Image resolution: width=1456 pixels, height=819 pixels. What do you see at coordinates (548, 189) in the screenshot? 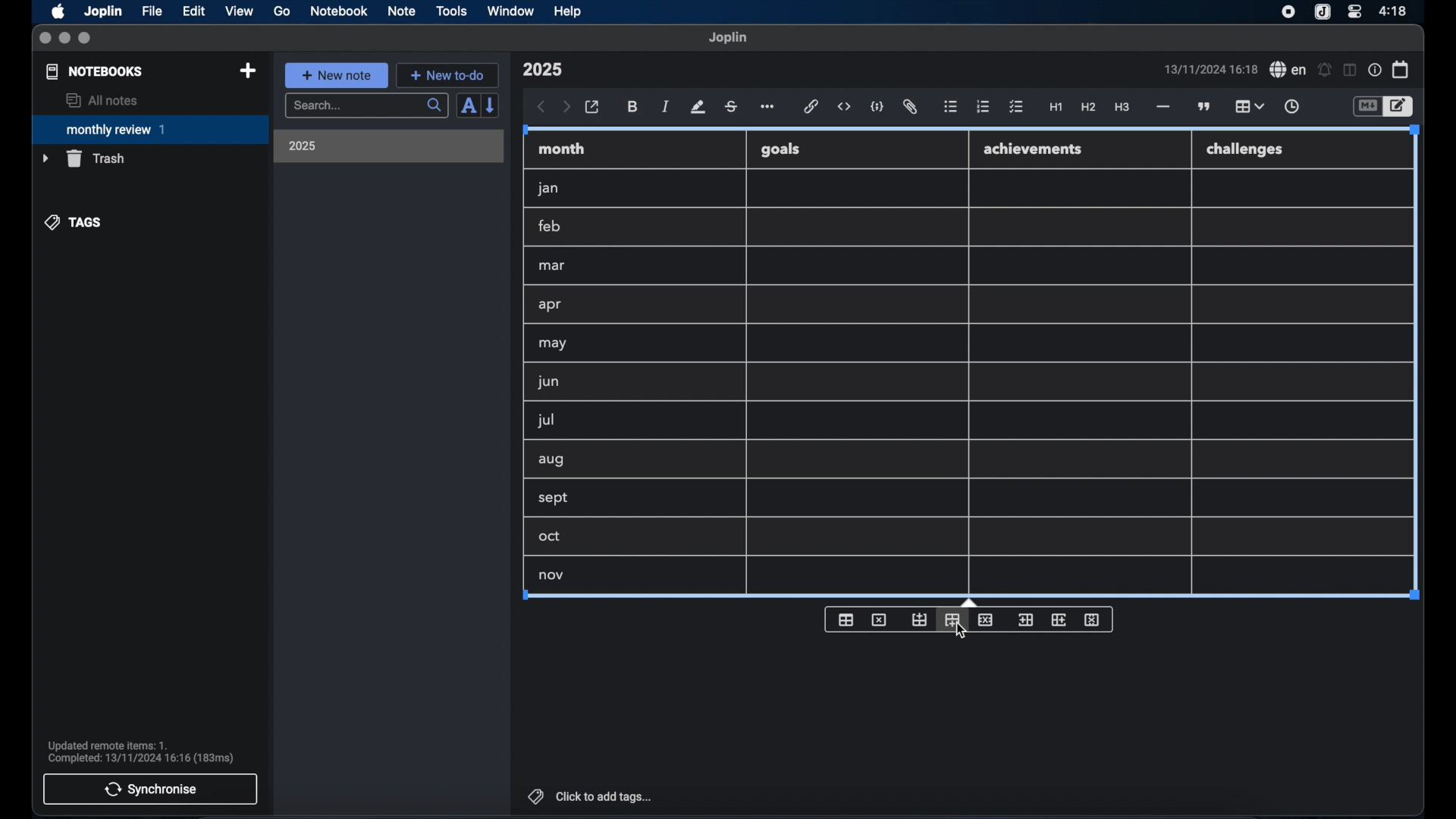
I see `jan` at bounding box center [548, 189].